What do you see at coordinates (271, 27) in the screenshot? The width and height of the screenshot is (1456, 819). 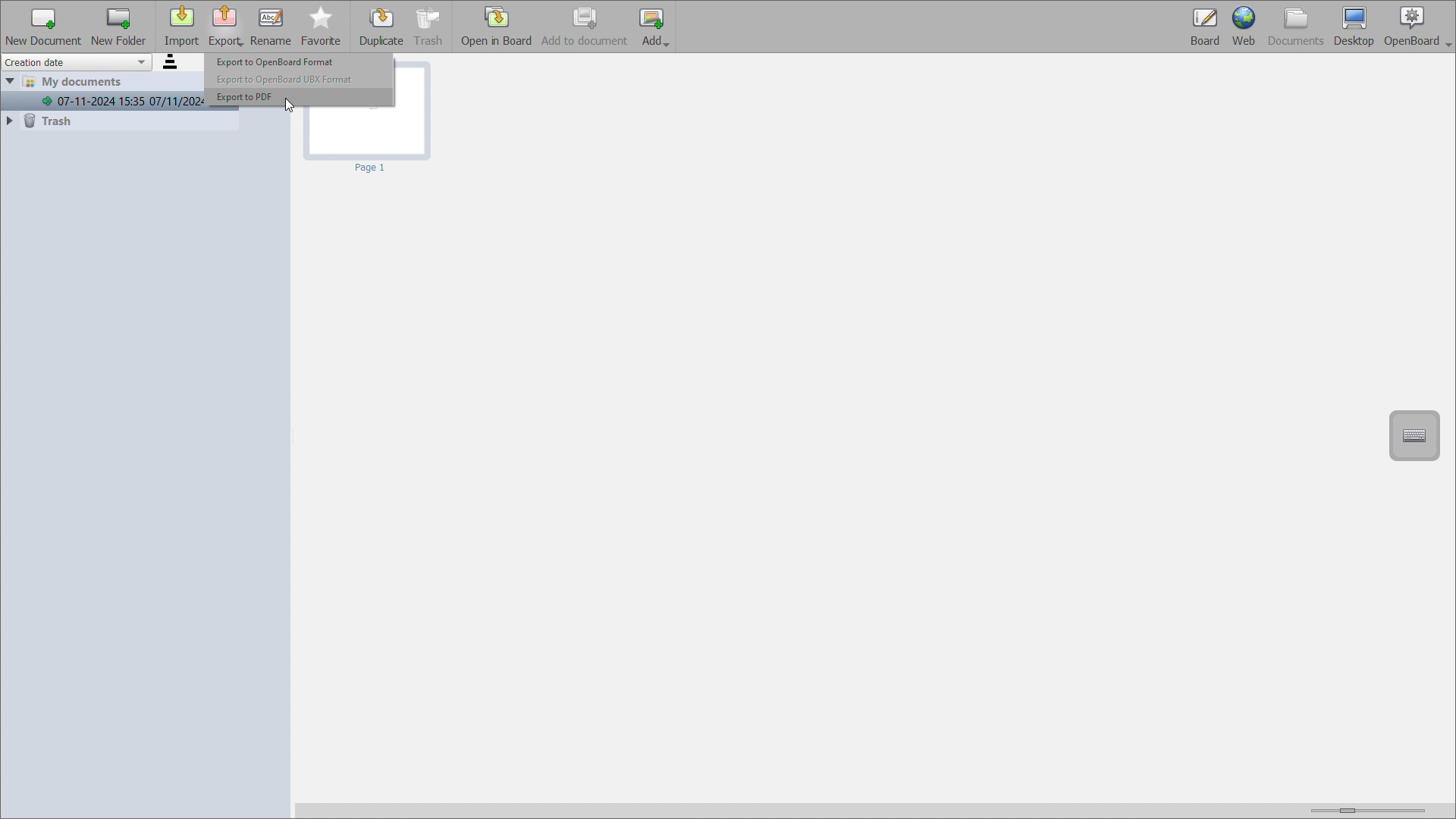 I see `rename` at bounding box center [271, 27].